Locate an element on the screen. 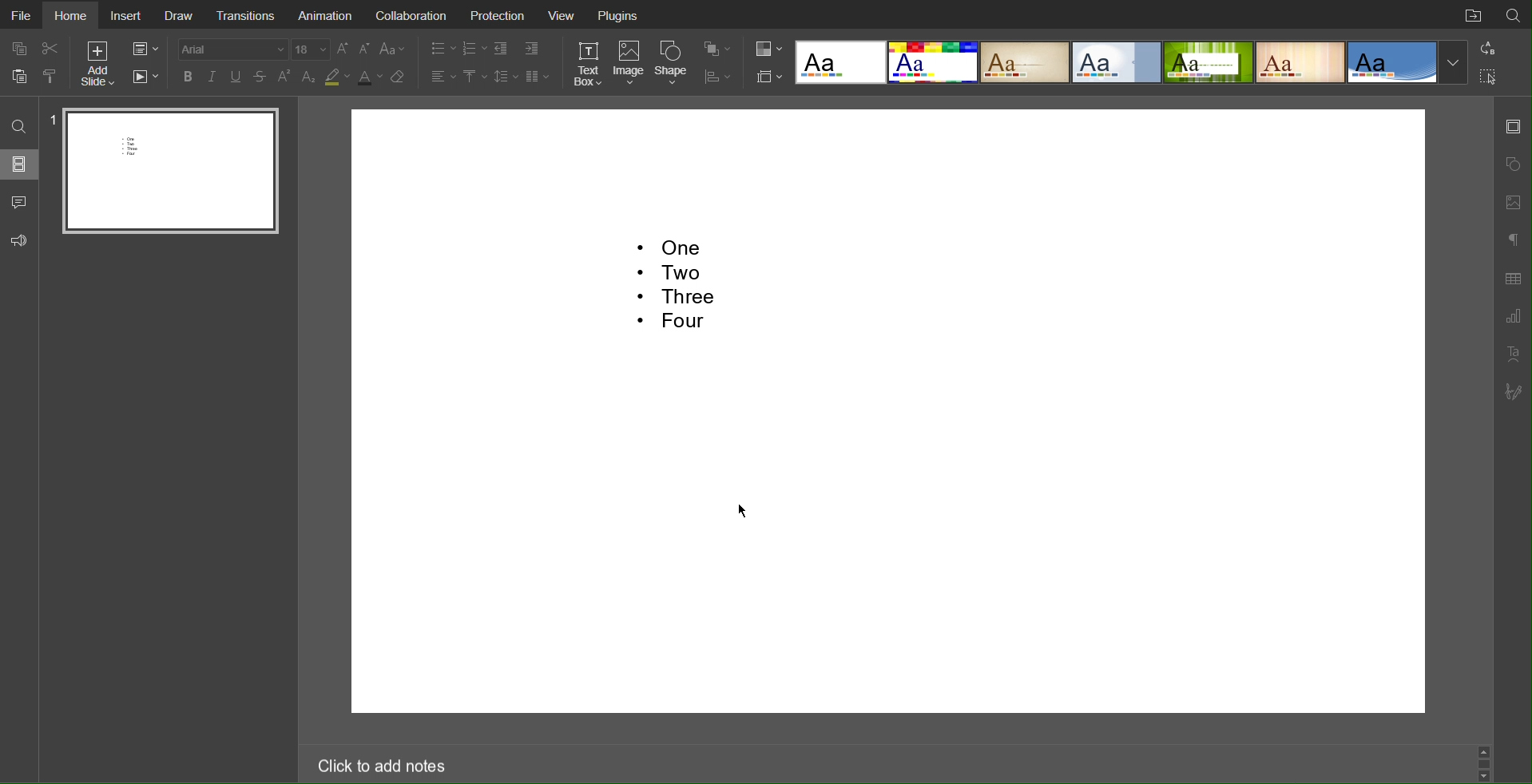 This screenshot has width=1532, height=784. Font Size is located at coordinates (311, 49).